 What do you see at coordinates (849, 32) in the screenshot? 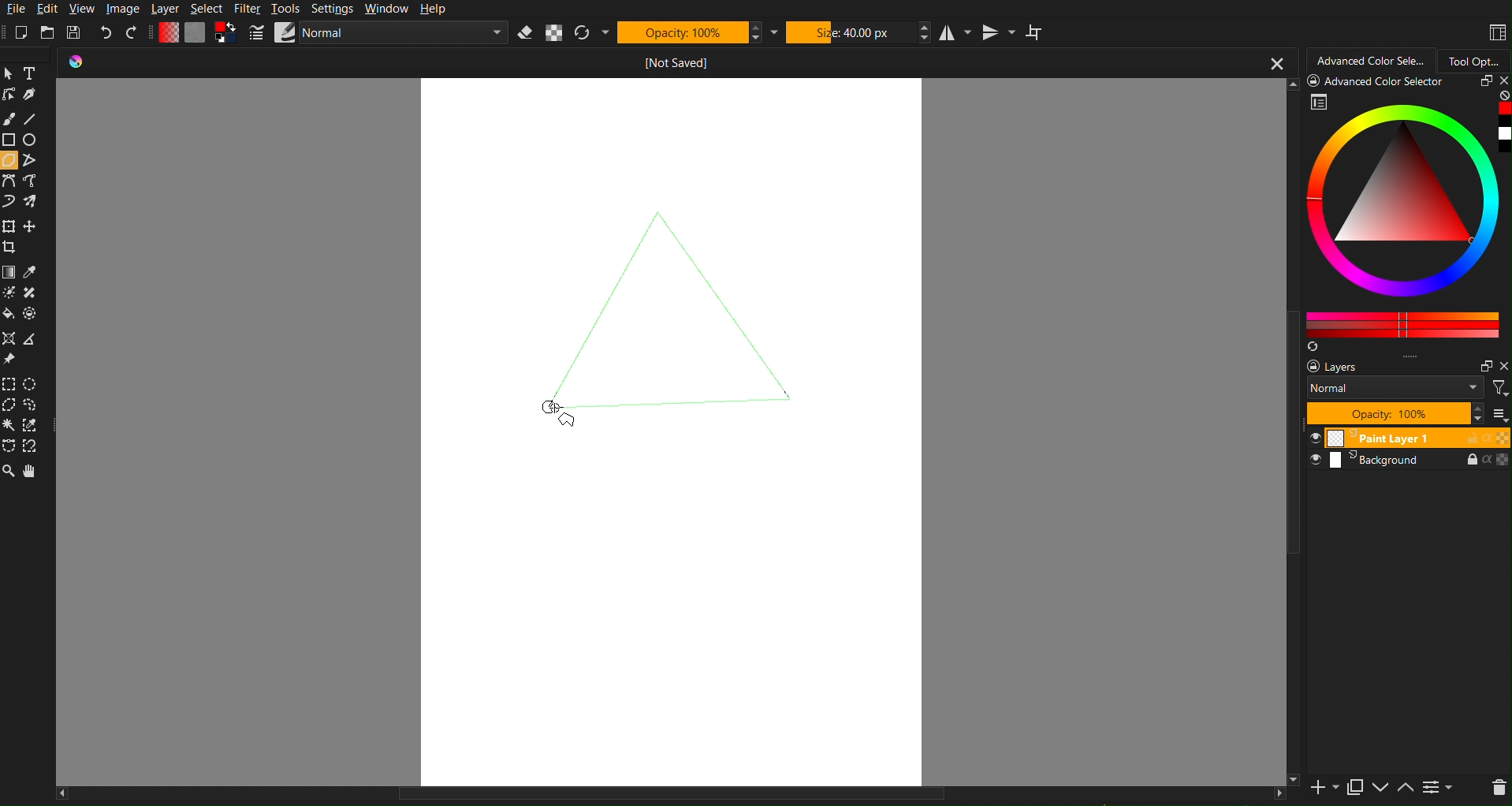
I see `Size: 40 px` at bounding box center [849, 32].